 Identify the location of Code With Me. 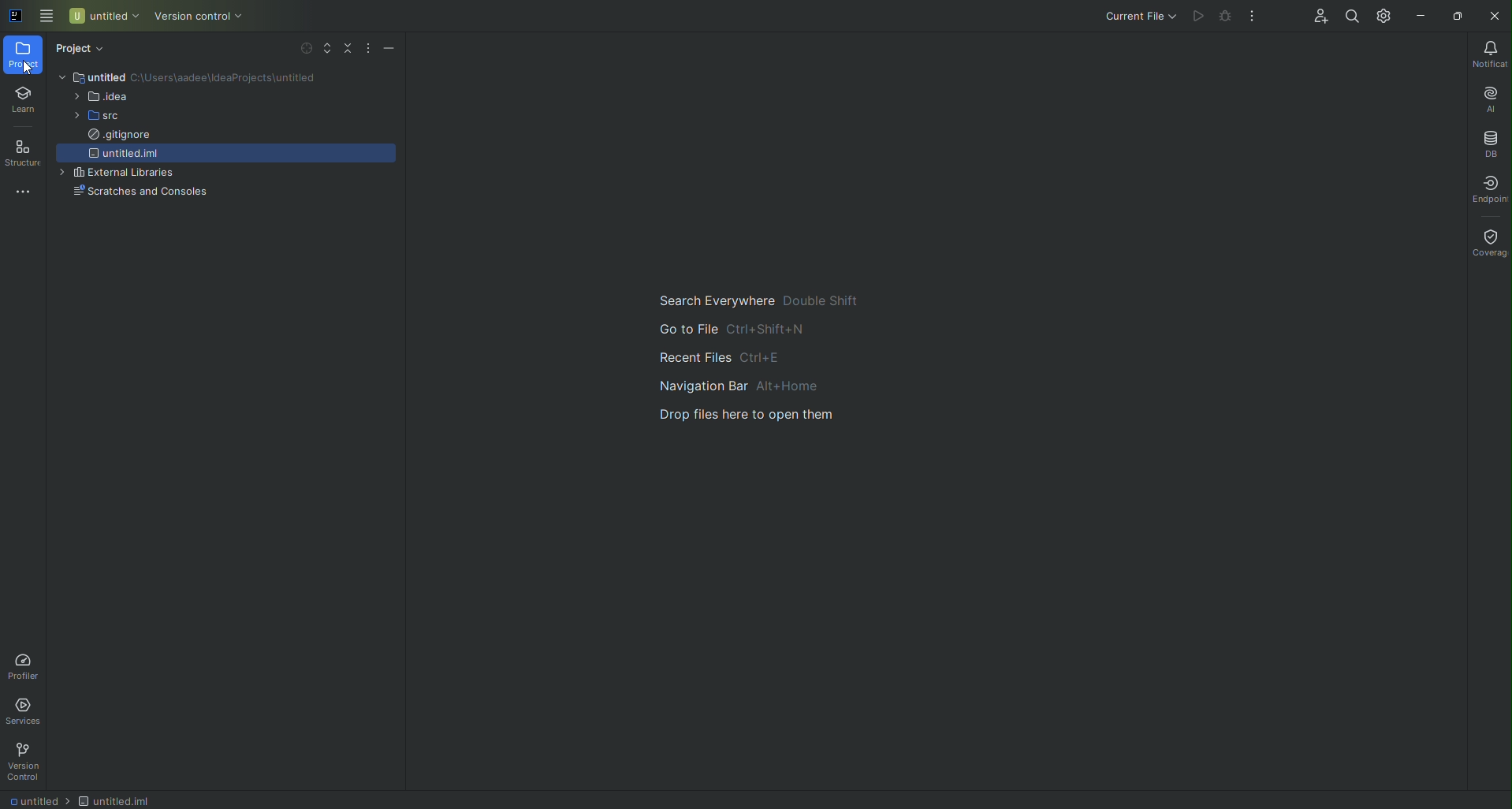
(1317, 18).